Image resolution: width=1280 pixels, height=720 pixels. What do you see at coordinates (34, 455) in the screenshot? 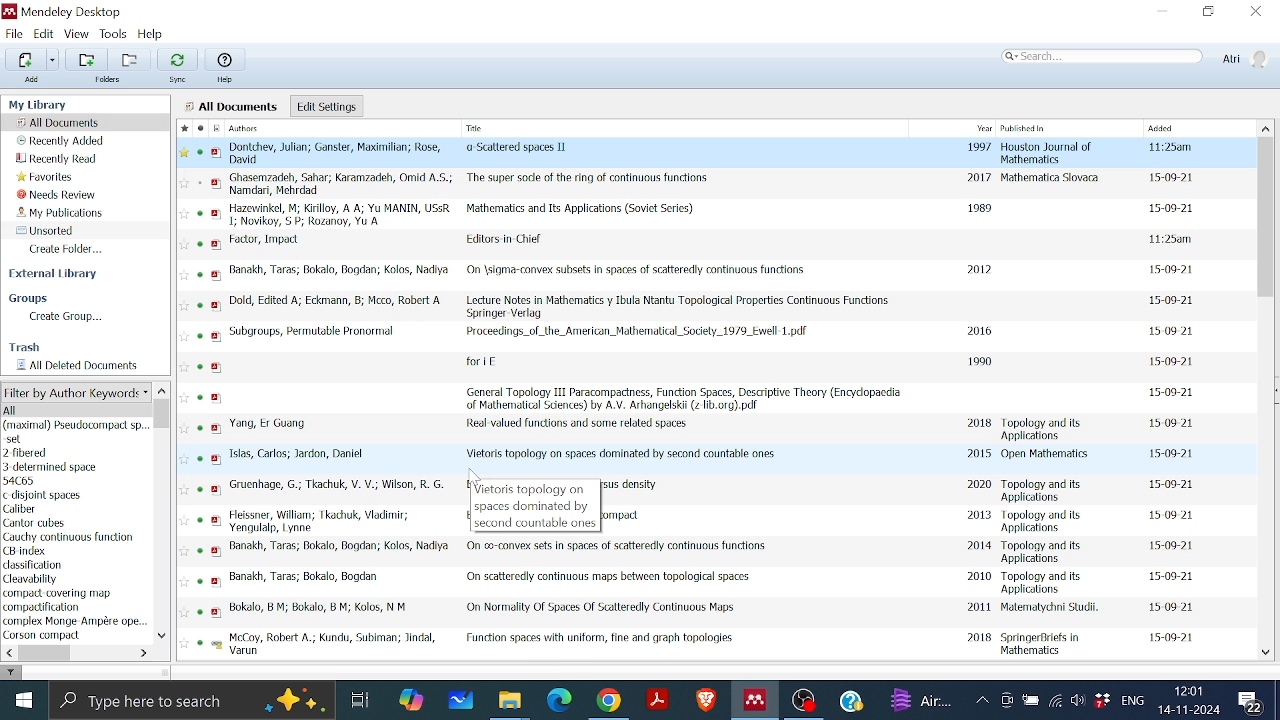
I see `Keyword` at bounding box center [34, 455].